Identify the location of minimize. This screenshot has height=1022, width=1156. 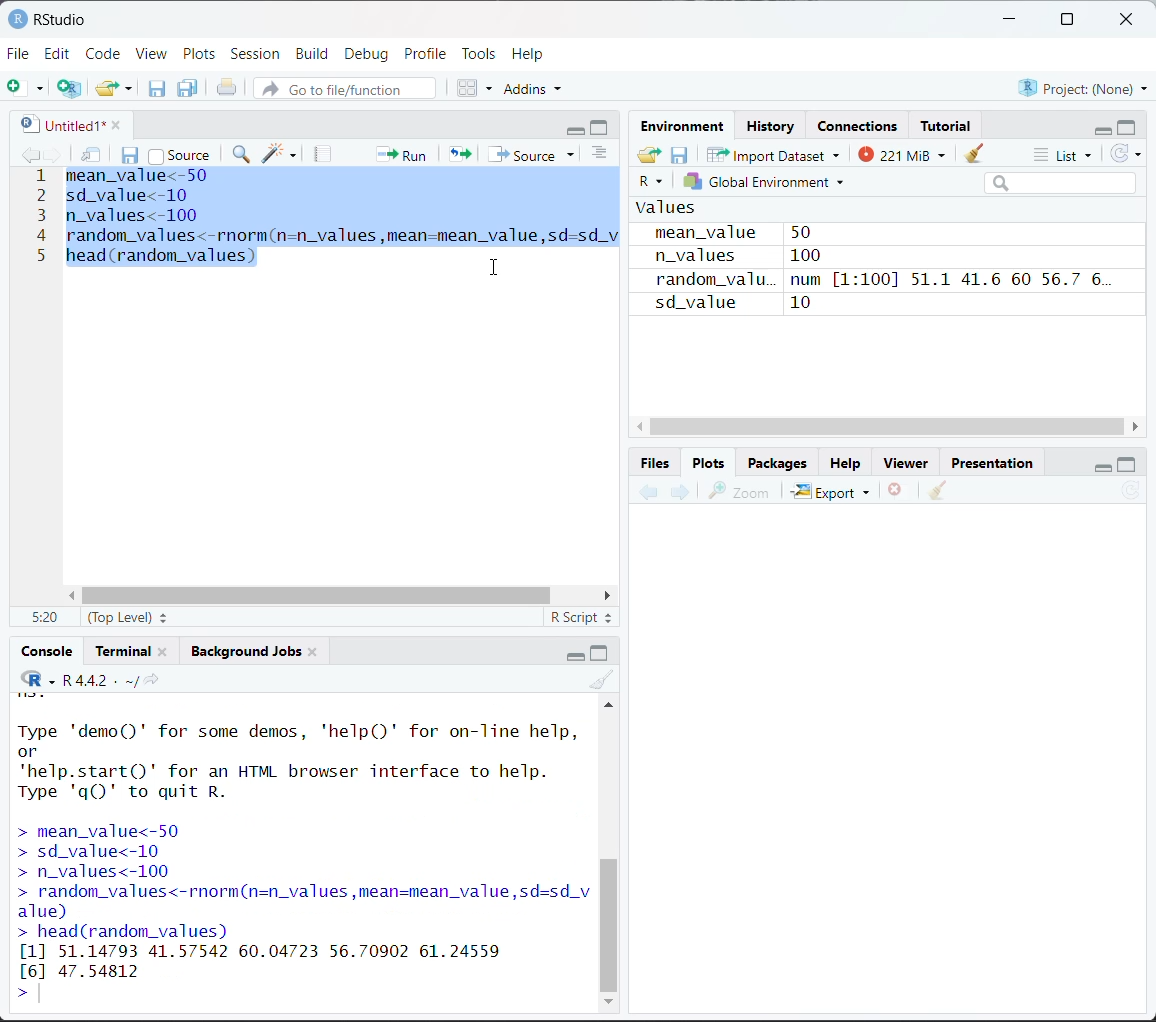
(1099, 128).